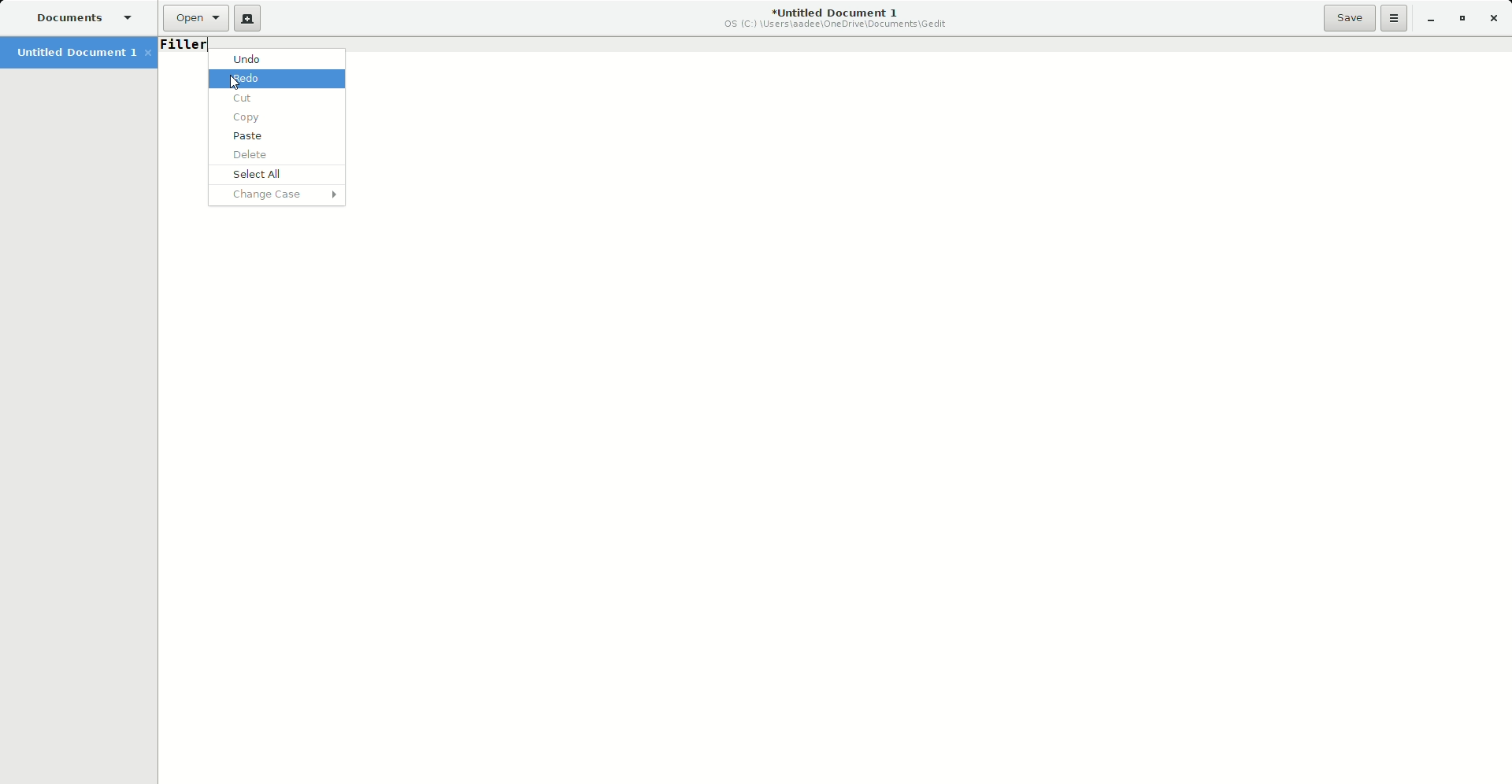 Image resolution: width=1512 pixels, height=784 pixels. Describe the element at coordinates (238, 84) in the screenshot. I see `Cursor` at that location.